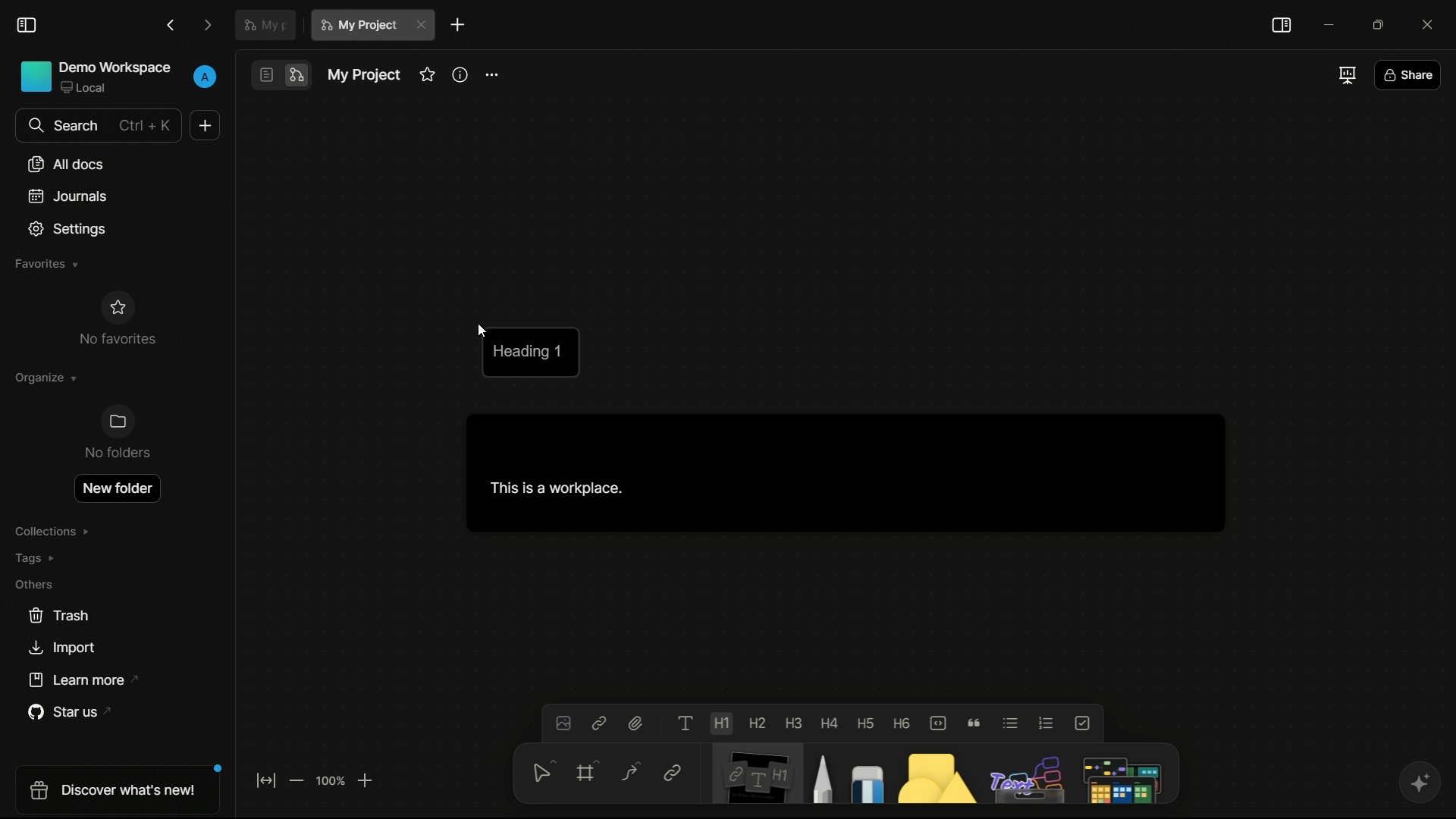  What do you see at coordinates (601, 723) in the screenshot?
I see `insert link` at bounding box center [601, 723].